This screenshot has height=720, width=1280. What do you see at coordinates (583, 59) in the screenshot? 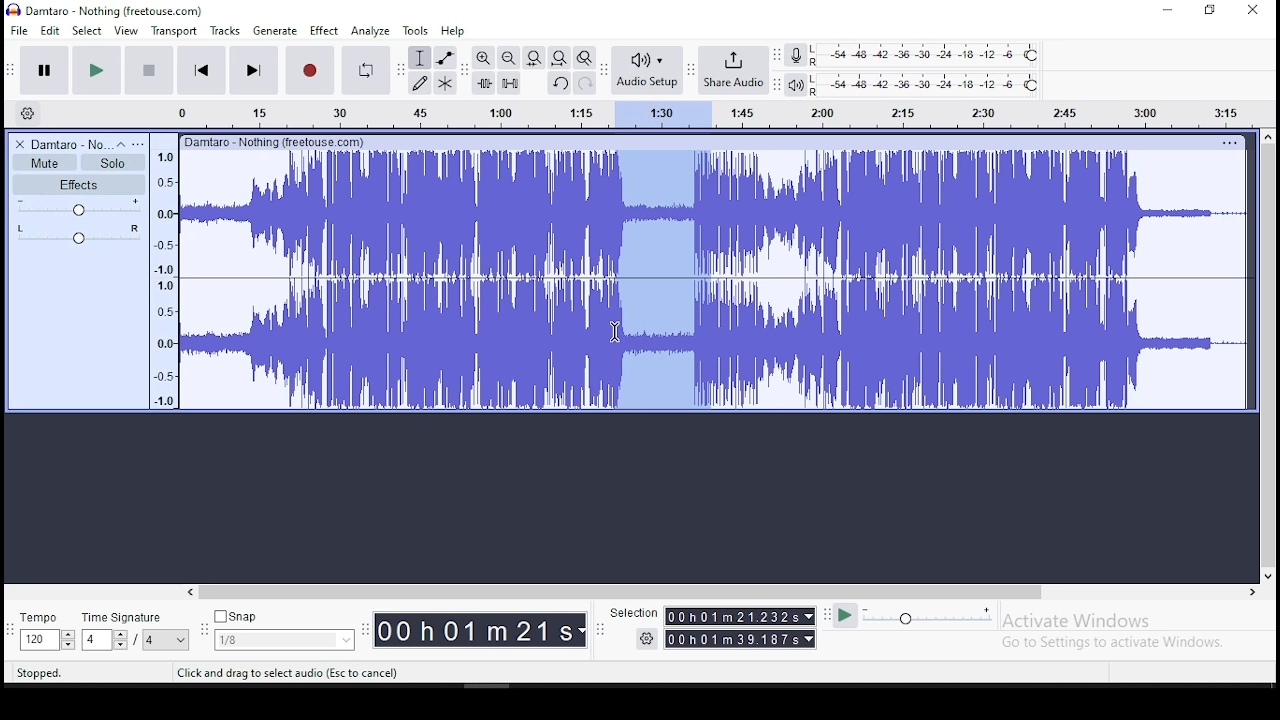
I see `zoom toggle` at bounding box center [583, 59].